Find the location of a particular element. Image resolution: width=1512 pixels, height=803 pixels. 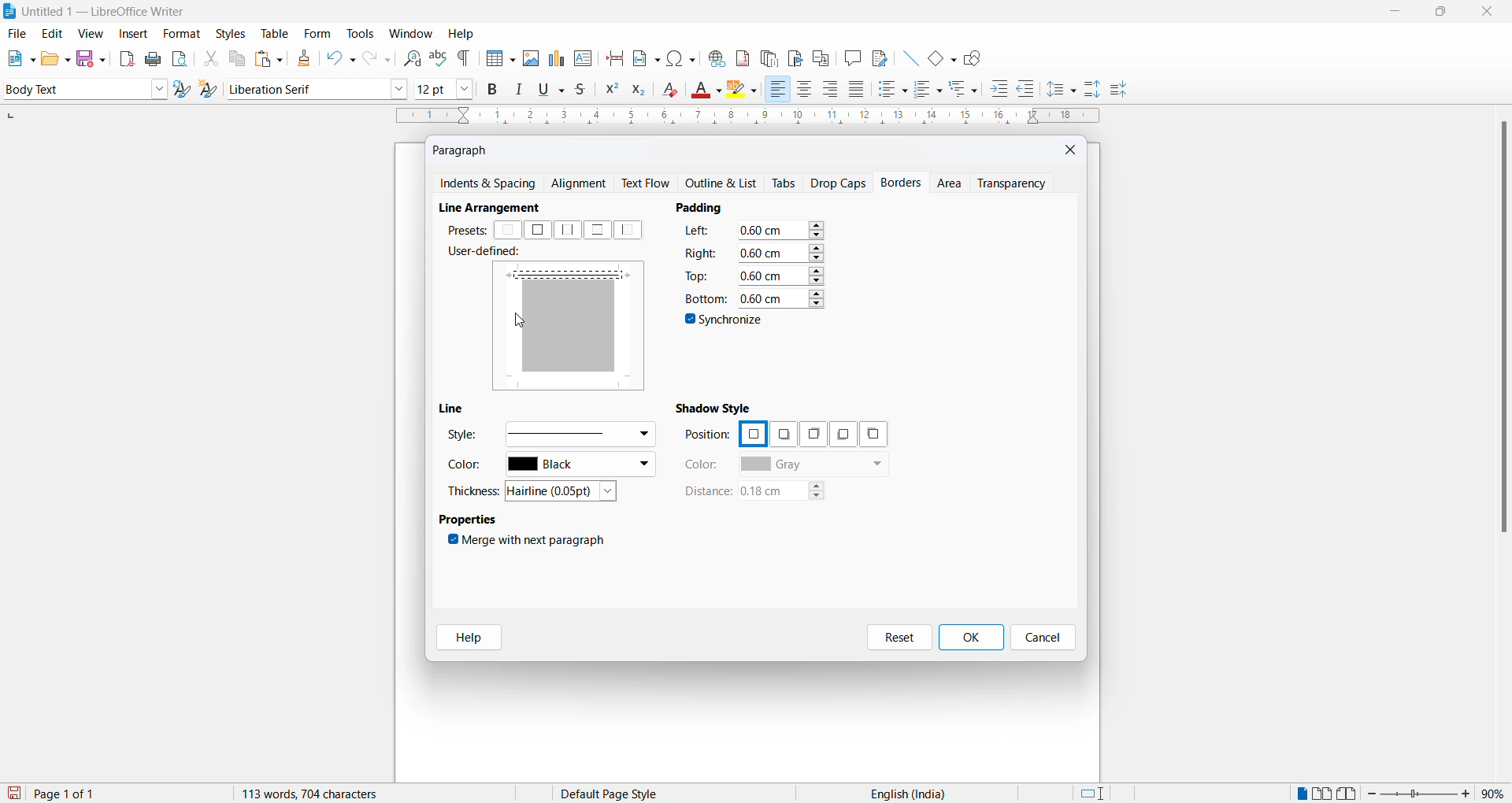

insert chart is located at coordinates (556, 60).